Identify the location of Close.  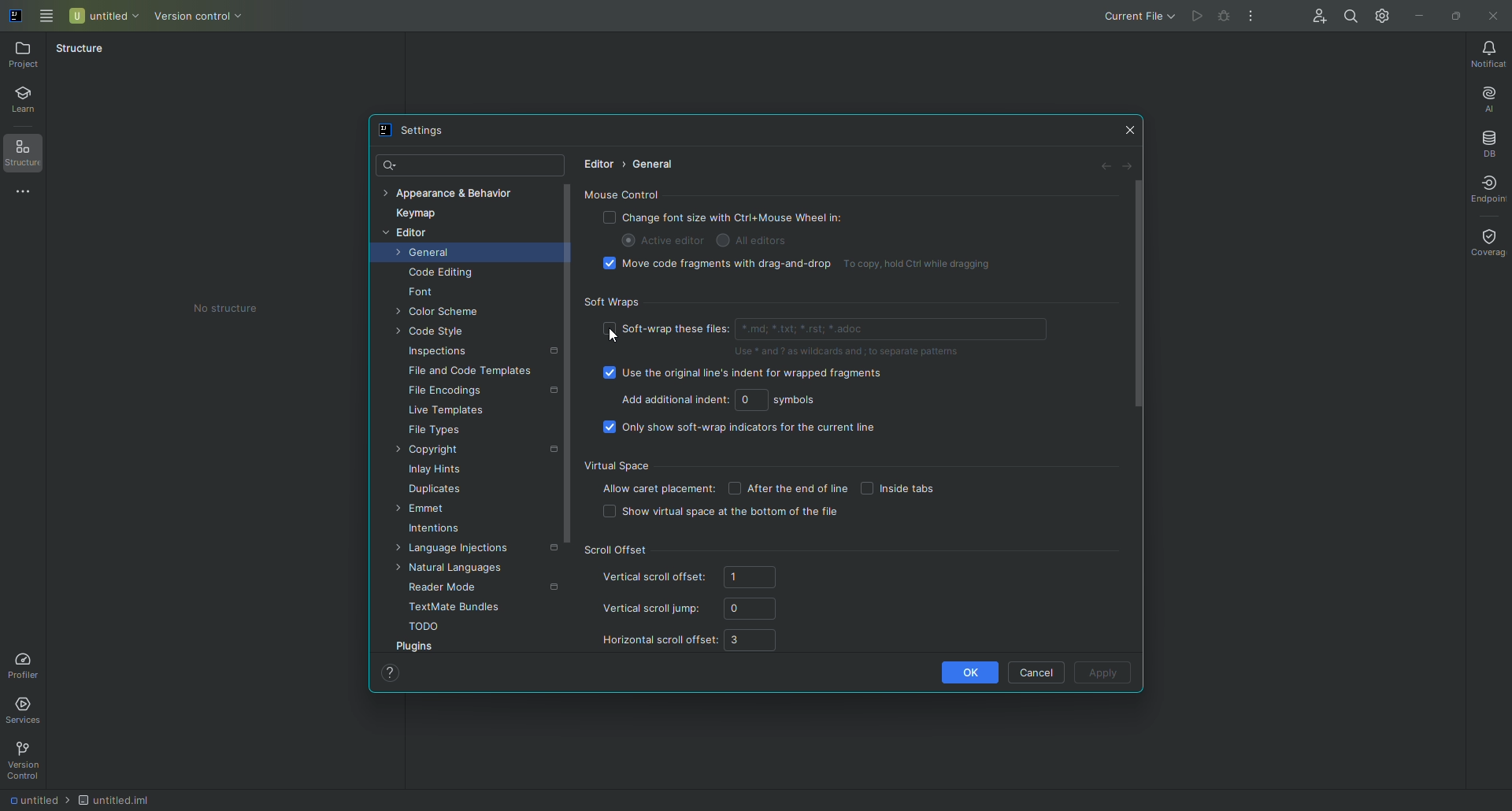
(1492, 17).